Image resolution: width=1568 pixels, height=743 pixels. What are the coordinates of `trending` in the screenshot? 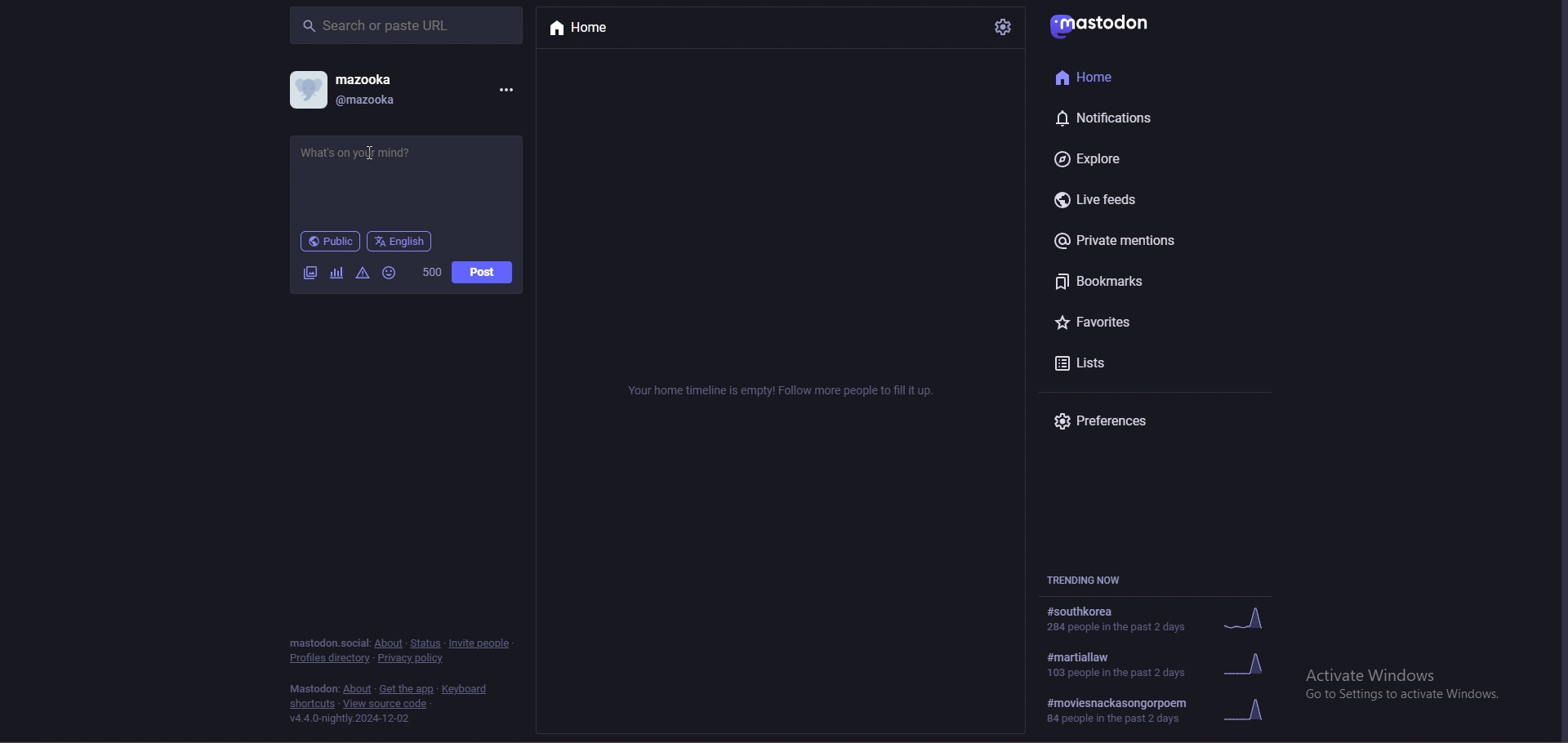 It's located at (1162, 709).